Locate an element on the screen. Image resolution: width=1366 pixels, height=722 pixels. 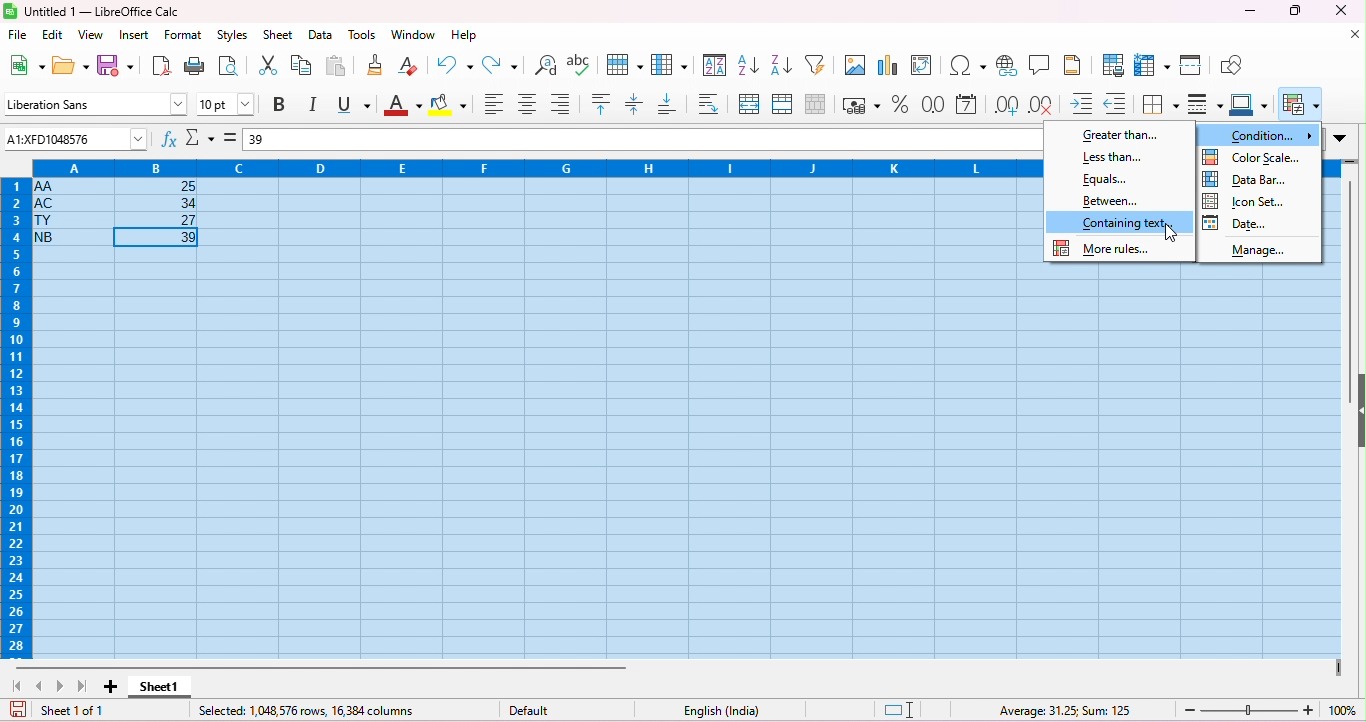
greater than is located at coordinates (1121, 135).